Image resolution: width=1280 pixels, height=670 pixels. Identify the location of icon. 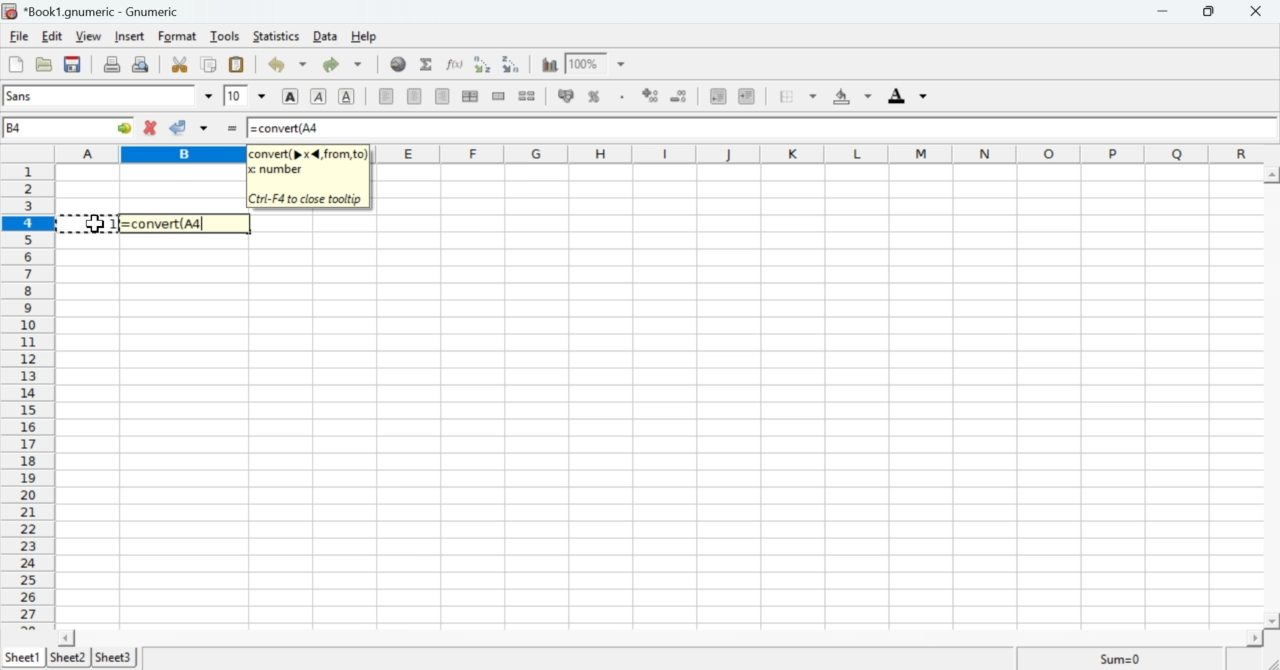
(10, 11).